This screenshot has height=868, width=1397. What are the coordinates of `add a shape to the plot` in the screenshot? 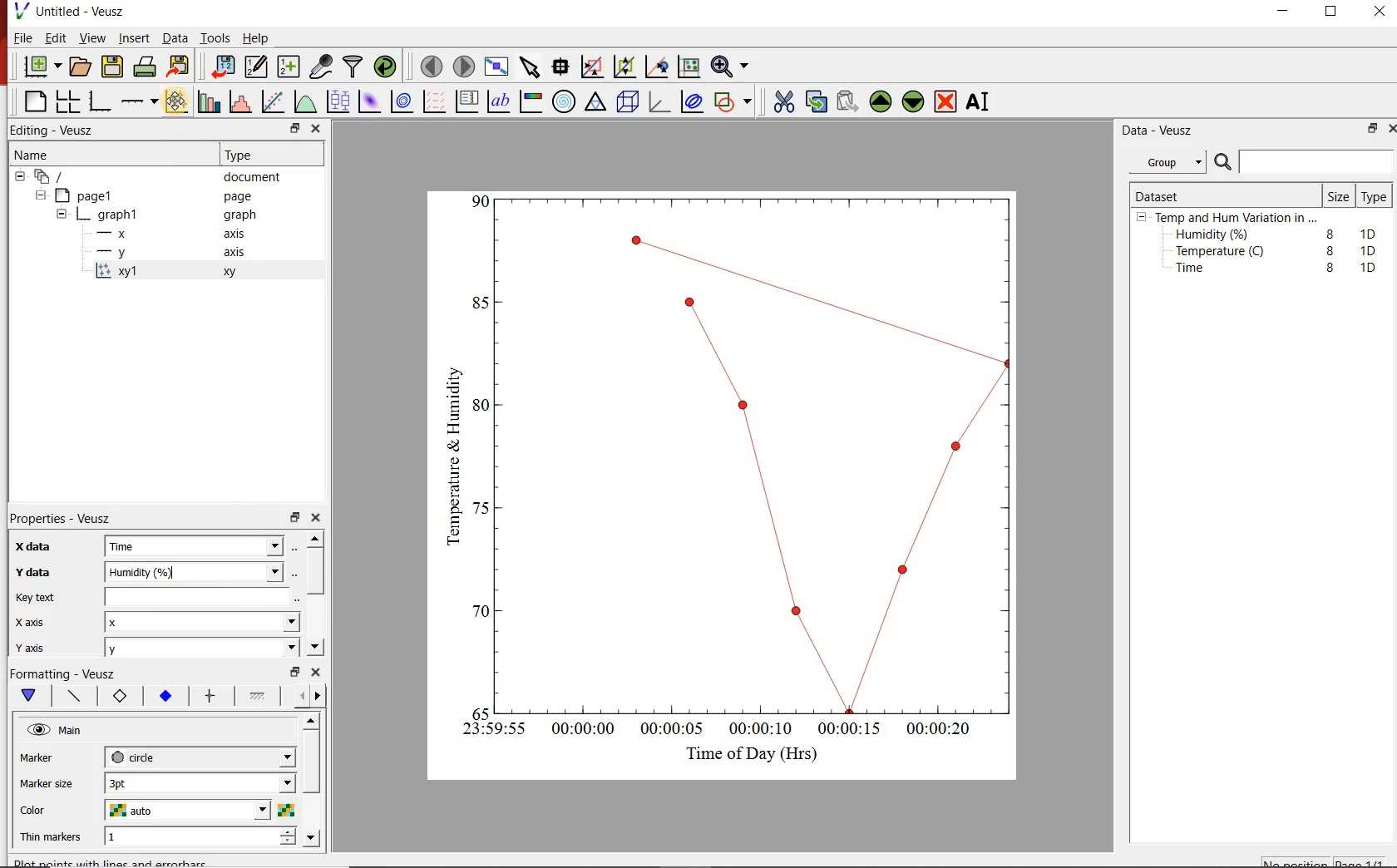 It's located at (737, 104).